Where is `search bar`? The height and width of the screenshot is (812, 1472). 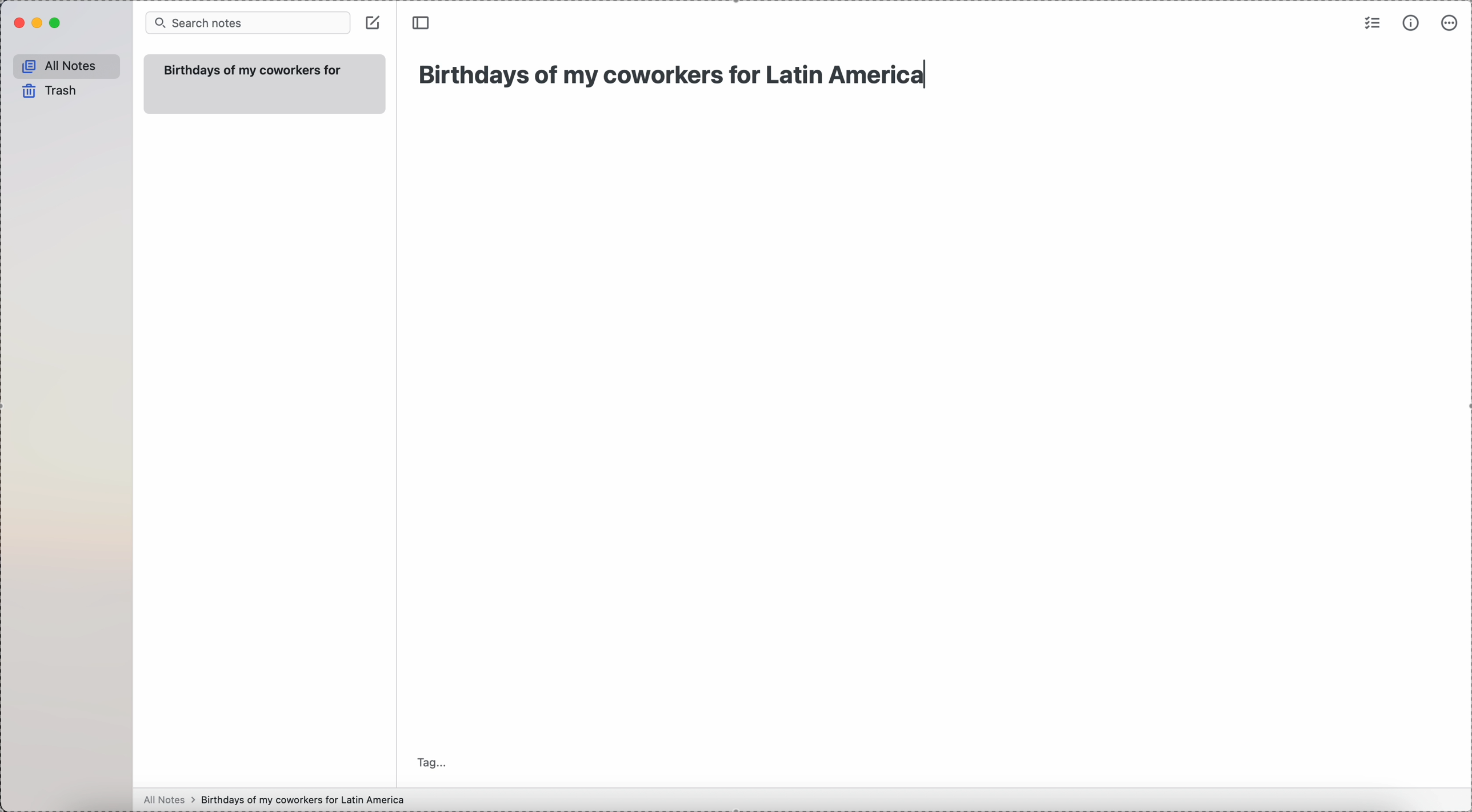 search bar is located at coordinates (247, 22).